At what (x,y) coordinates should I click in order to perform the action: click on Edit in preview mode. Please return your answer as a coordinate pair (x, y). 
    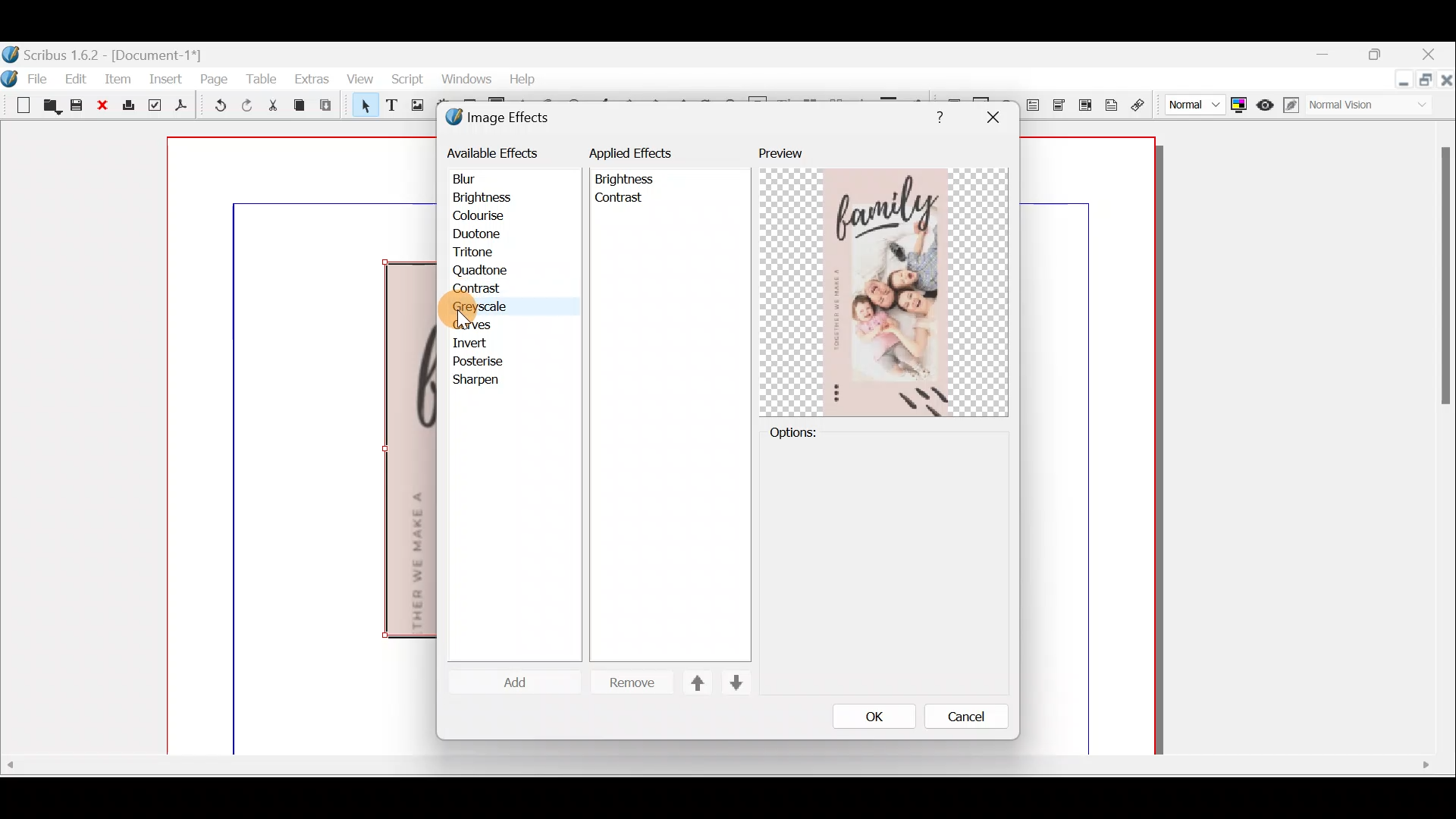
    Looking at the image, I should click on (1289, 104).